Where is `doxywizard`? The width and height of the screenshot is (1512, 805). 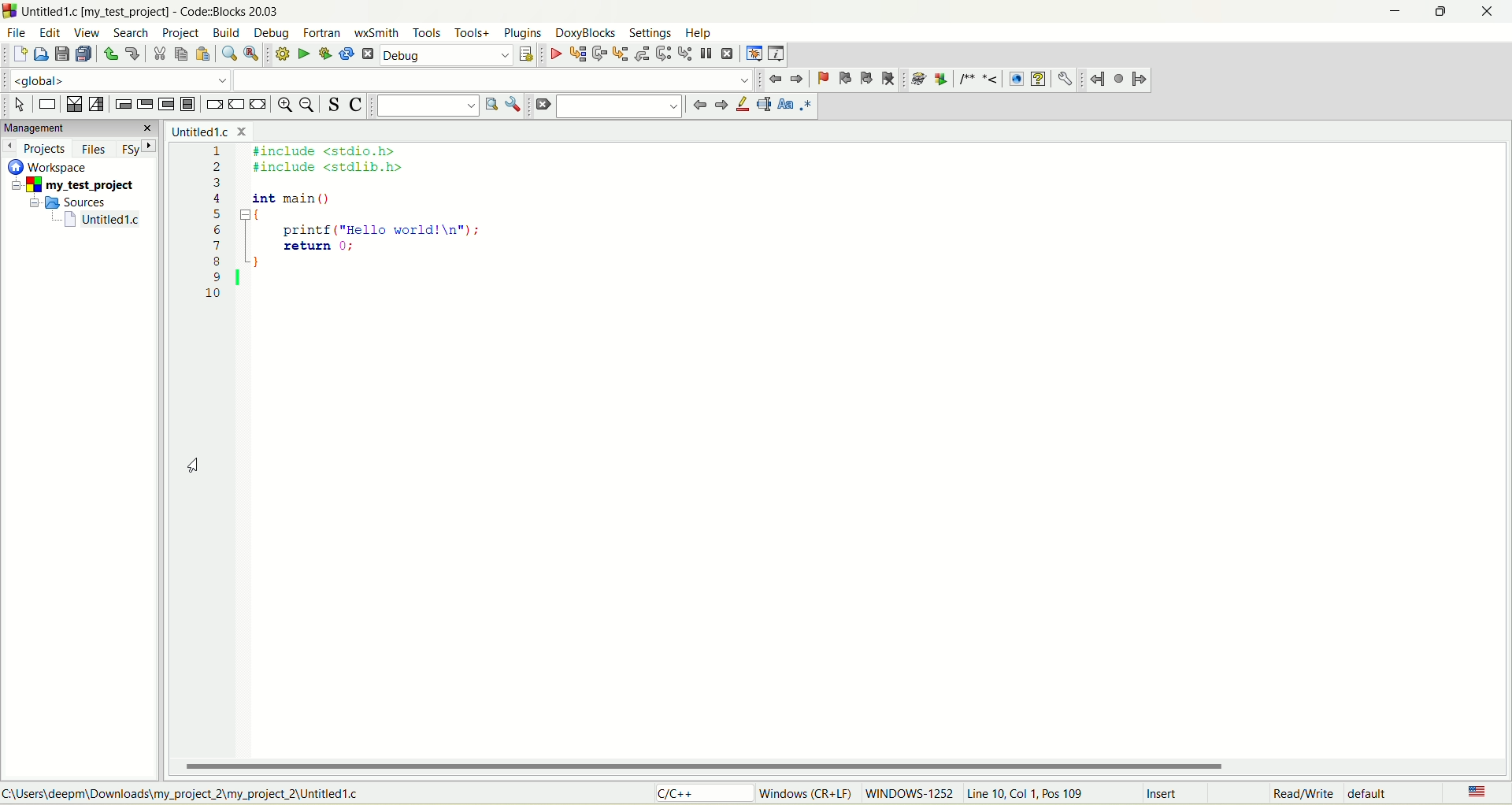
doxywizard is located at coordinates (917, 80).